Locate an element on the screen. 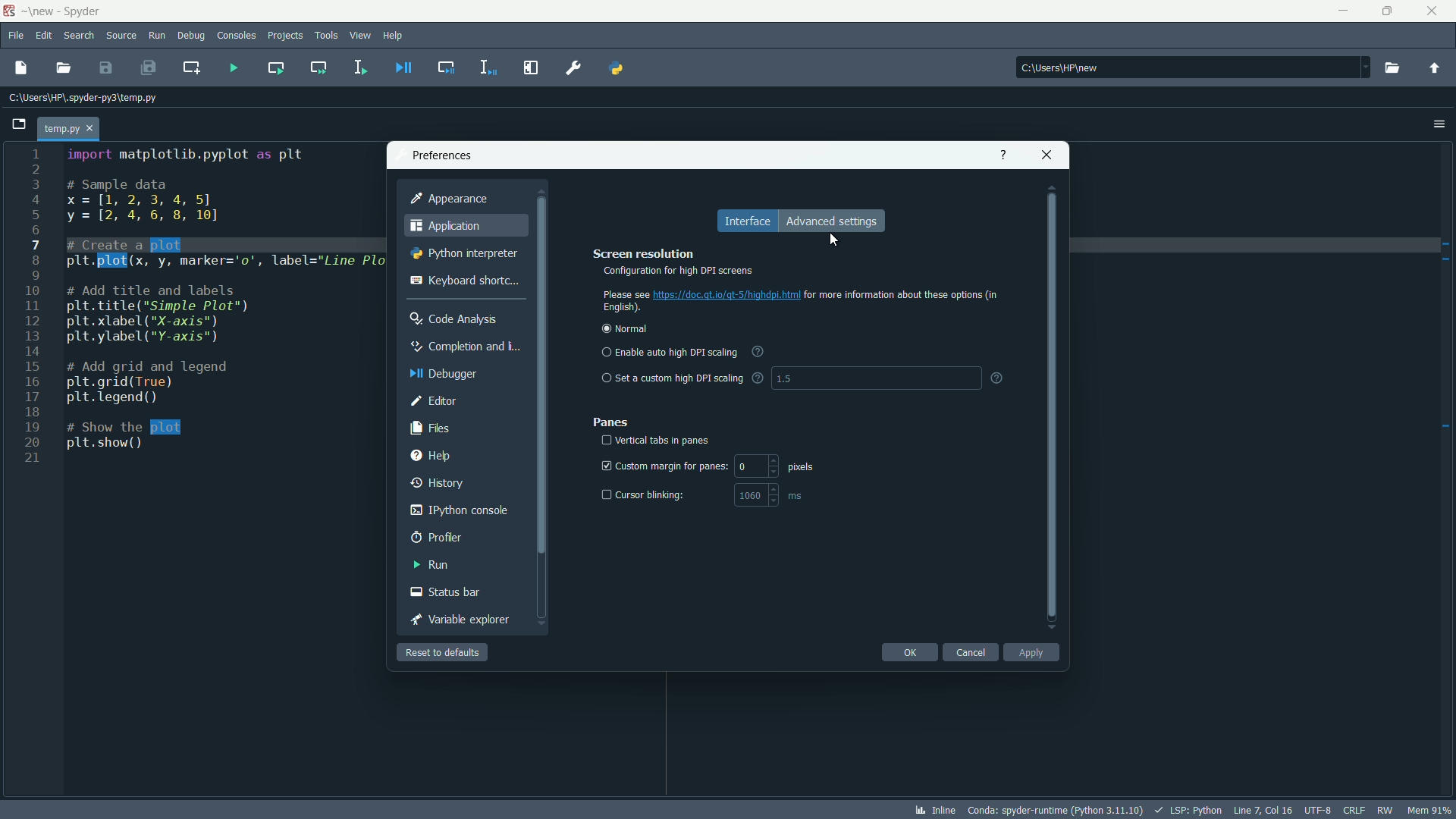 This screenshot has width=1456, height=819. check box is located at coordinates (604, 441).